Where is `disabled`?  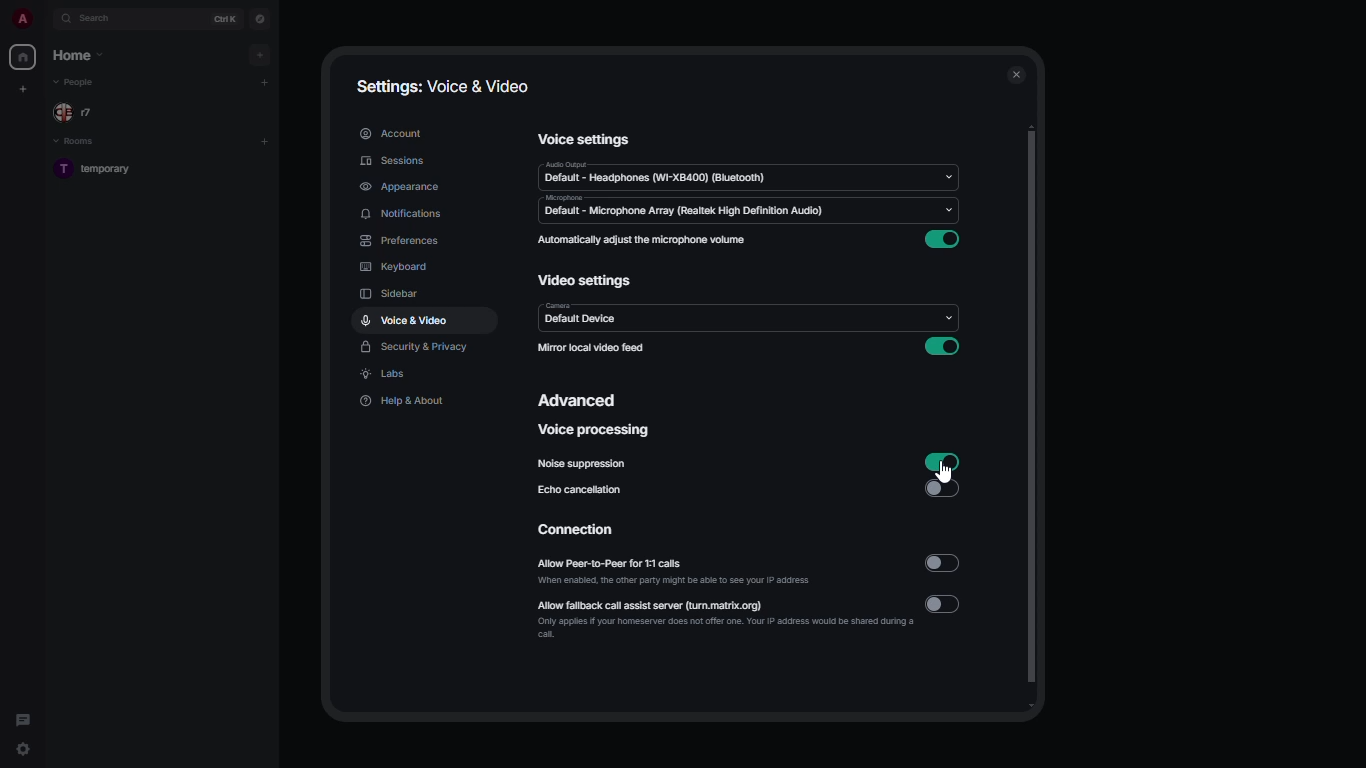
disabled is located at coordinates (943, 563).